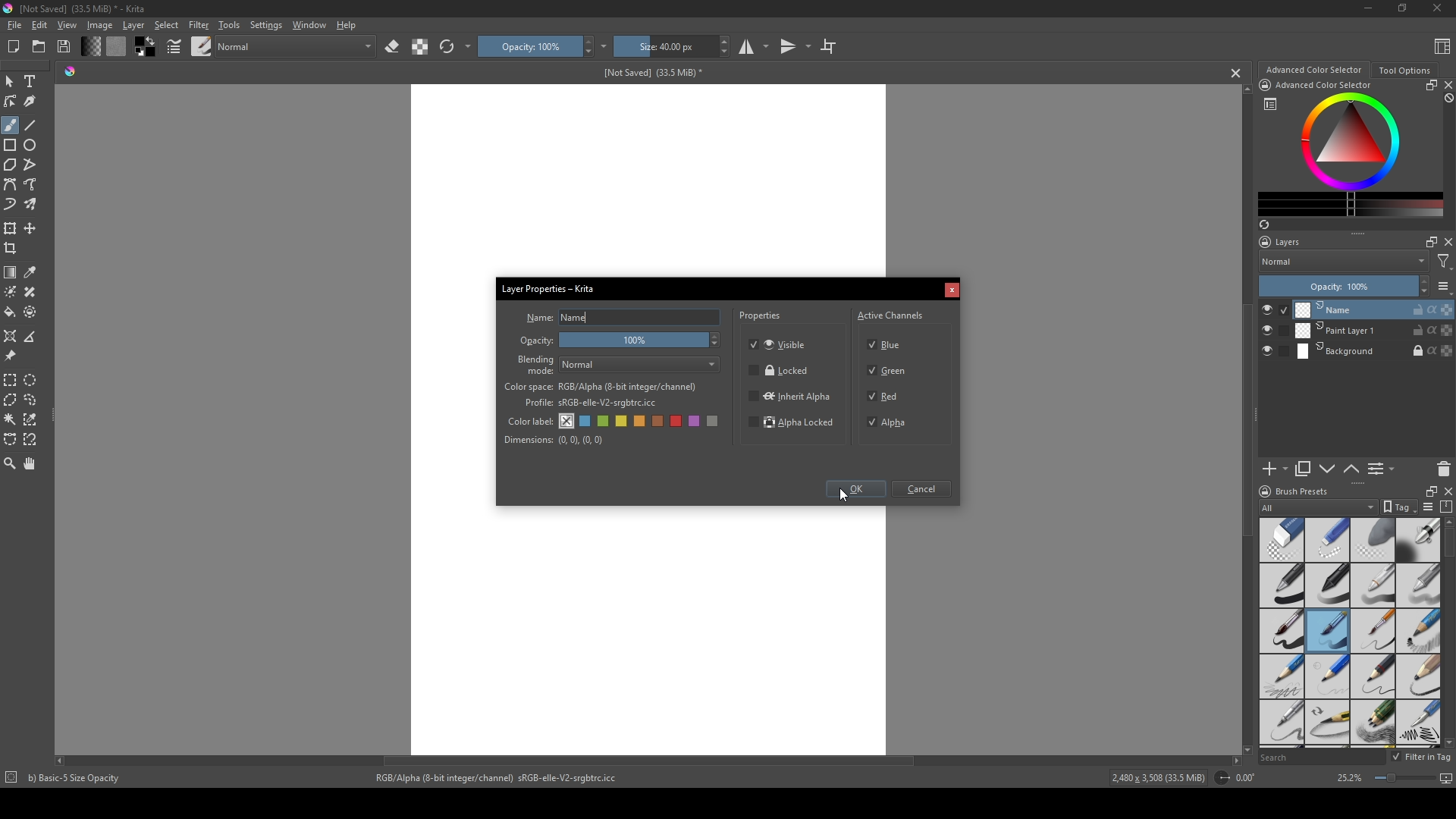  I want to click on color, so click(143, 47).